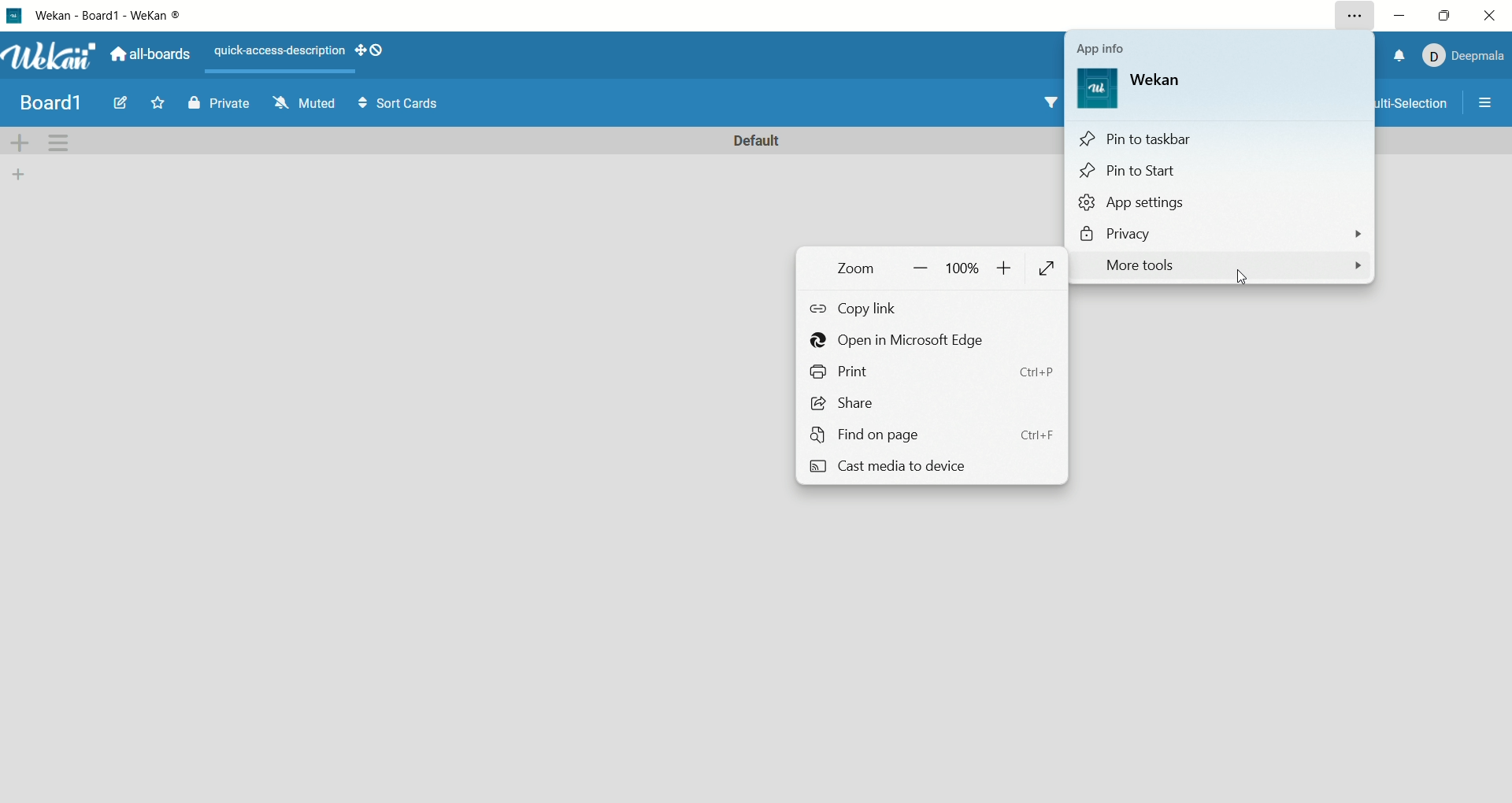 Image resolution: width=1512 pixels, height=803 pixels. I want to click on show-desktop-drag-handles, so click(376, 50).